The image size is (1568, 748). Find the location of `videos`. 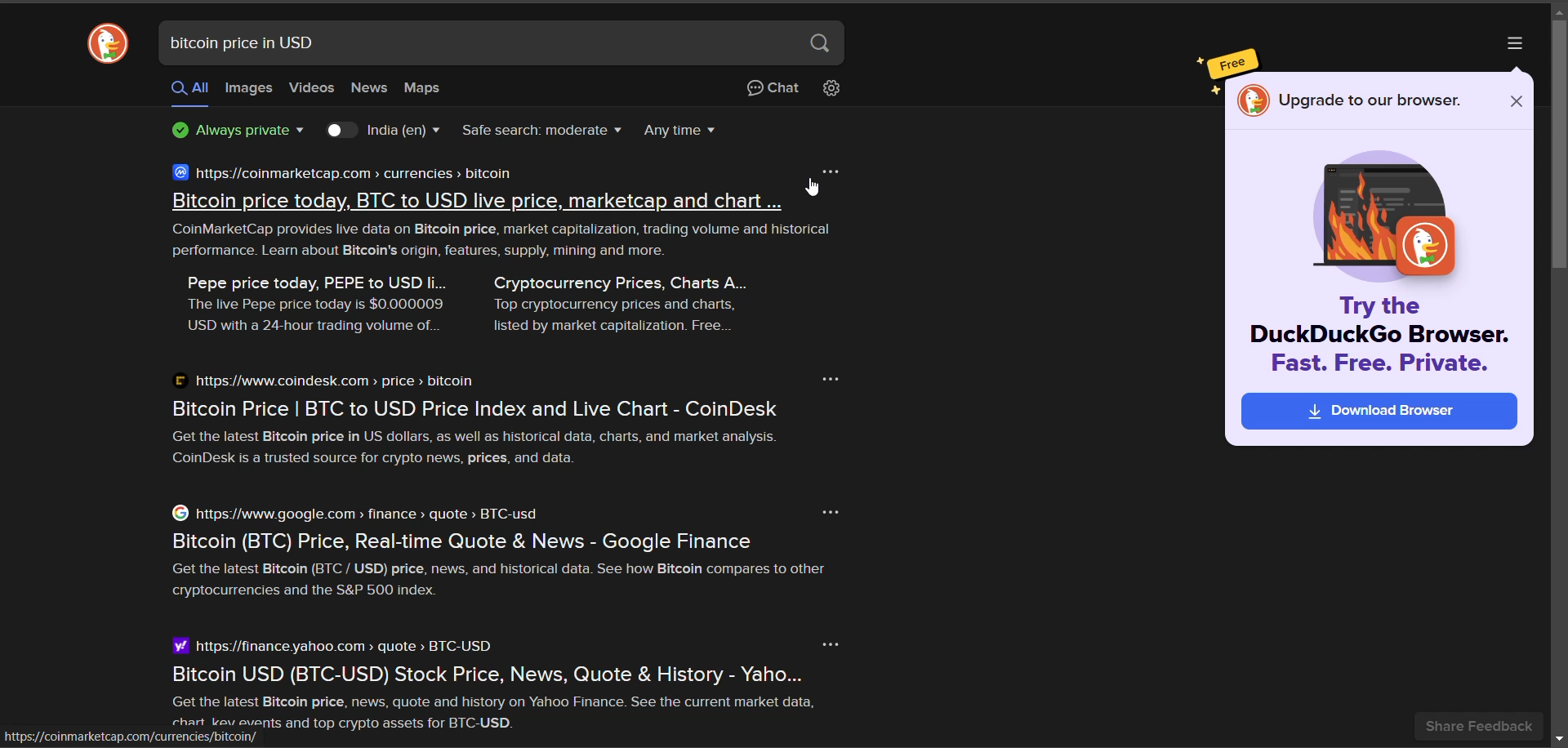

videos is located at coordinates (314, 89).